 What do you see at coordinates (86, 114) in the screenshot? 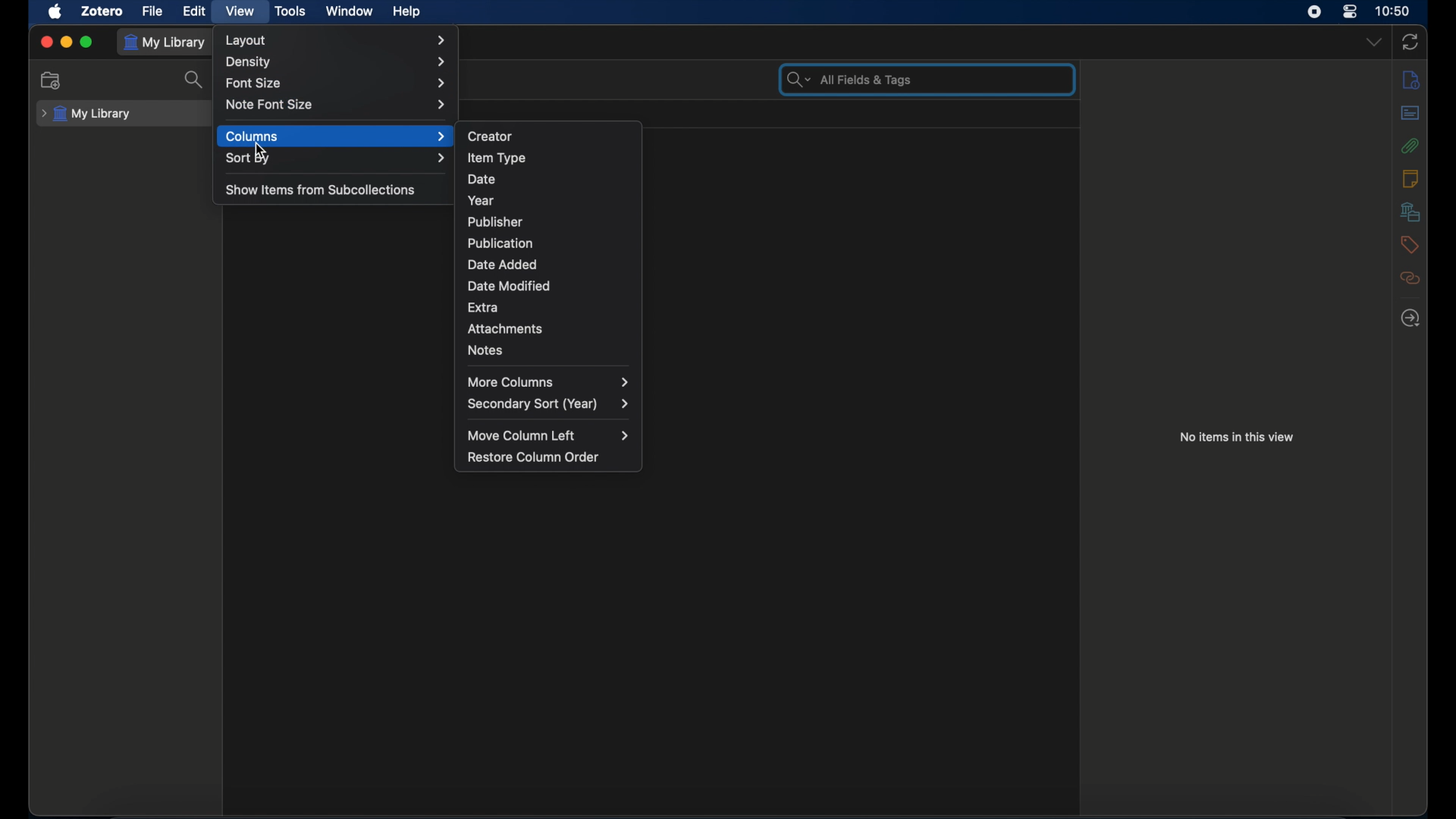
I see `my library` at bounding box center [86, 114].